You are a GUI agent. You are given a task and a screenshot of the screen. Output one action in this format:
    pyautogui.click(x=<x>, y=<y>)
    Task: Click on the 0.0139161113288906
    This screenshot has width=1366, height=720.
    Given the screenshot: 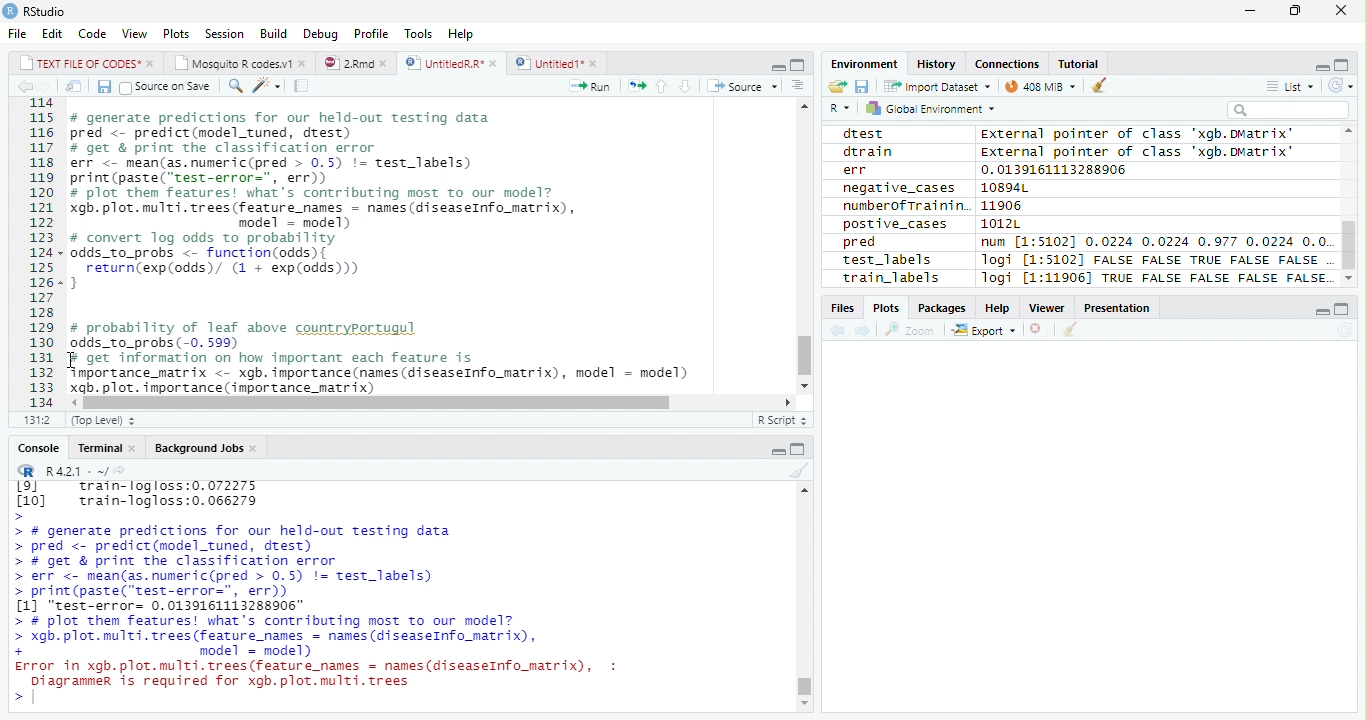 What is the action you would take?
    pyautogui.click(x=1057, y=169)
    